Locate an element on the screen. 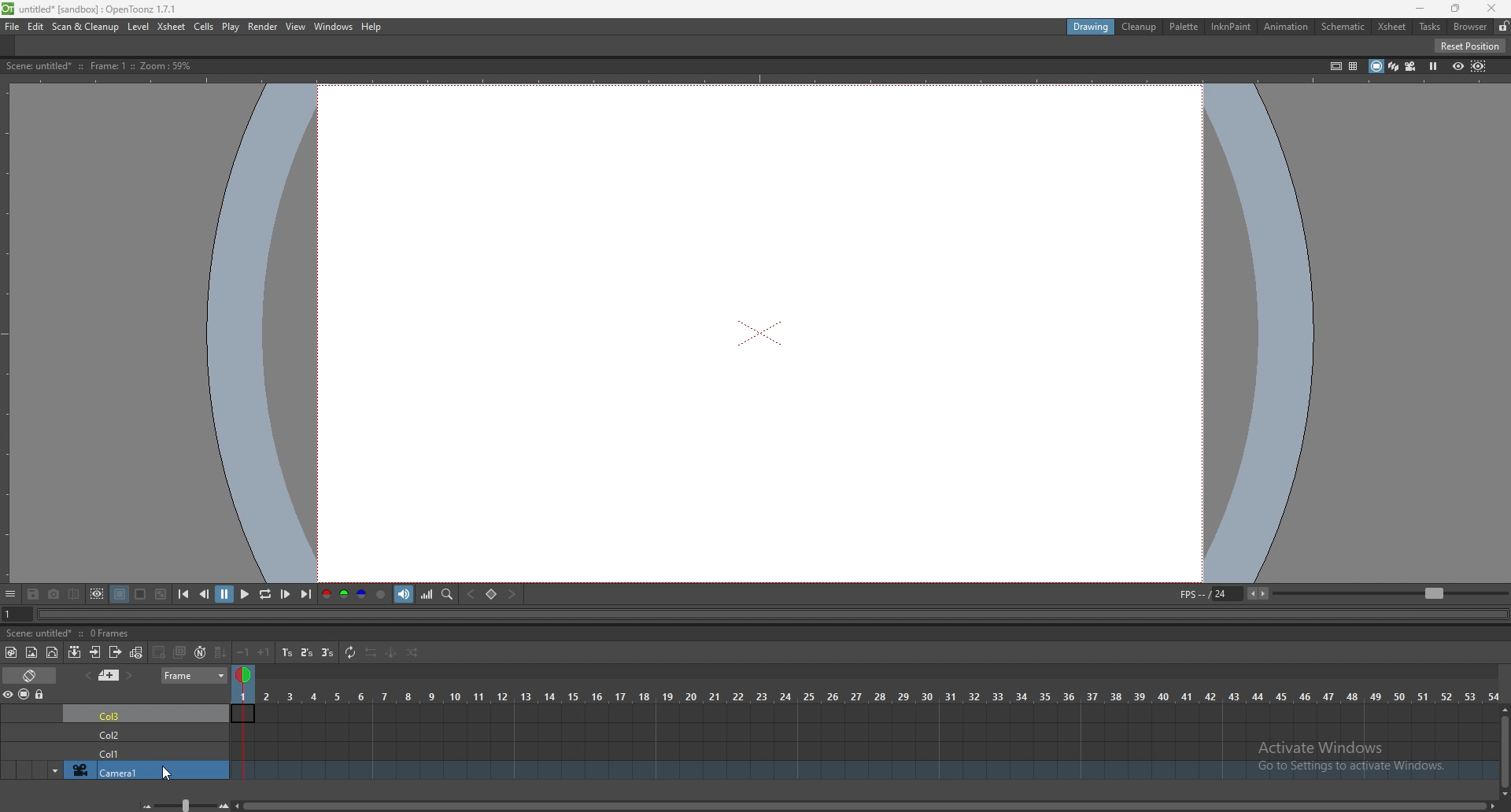 Image resolution: width=1511 pixels, height=812 pixels. set is located at coordinates (491, 594).